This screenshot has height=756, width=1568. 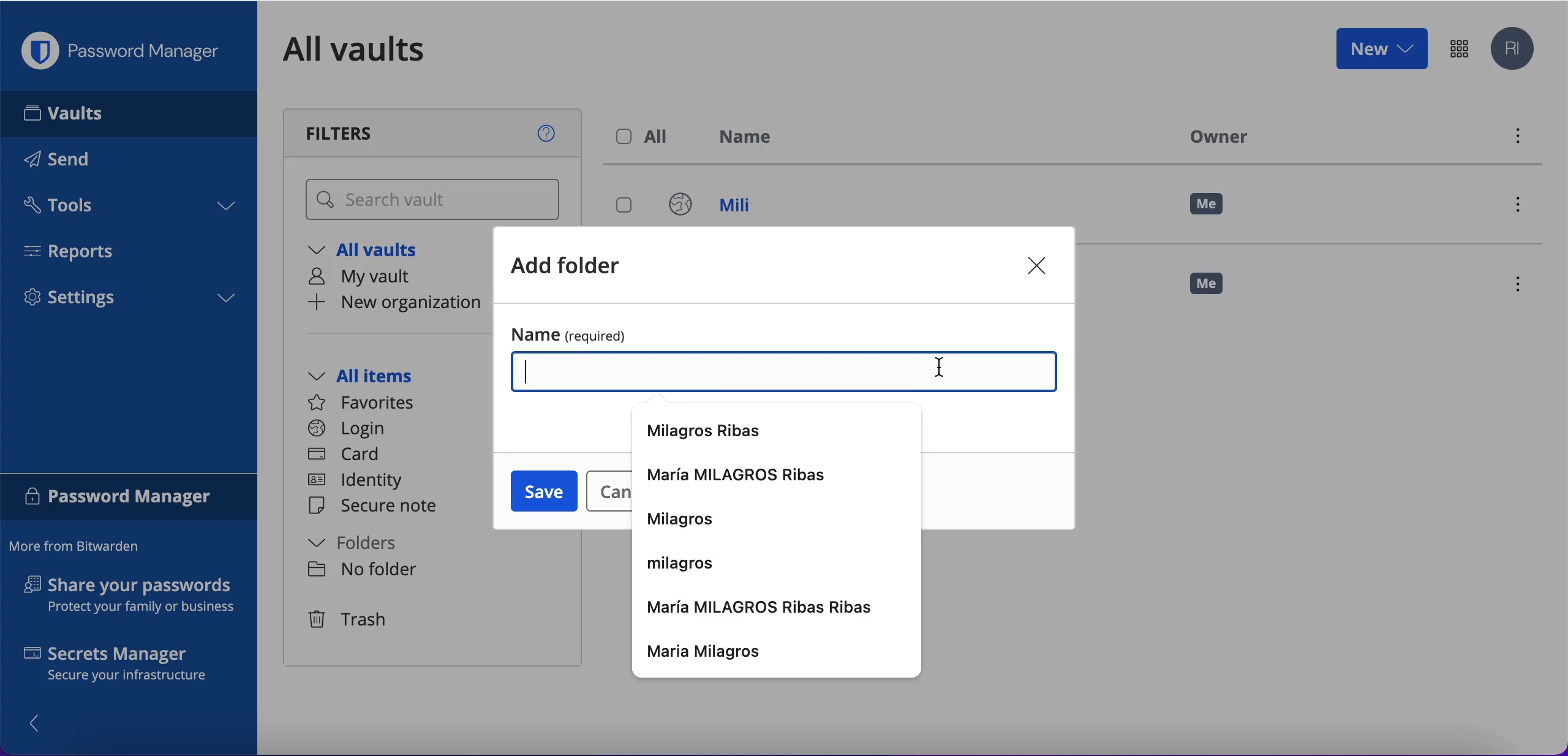 I want to click on folders, so click(x=366, y=545).